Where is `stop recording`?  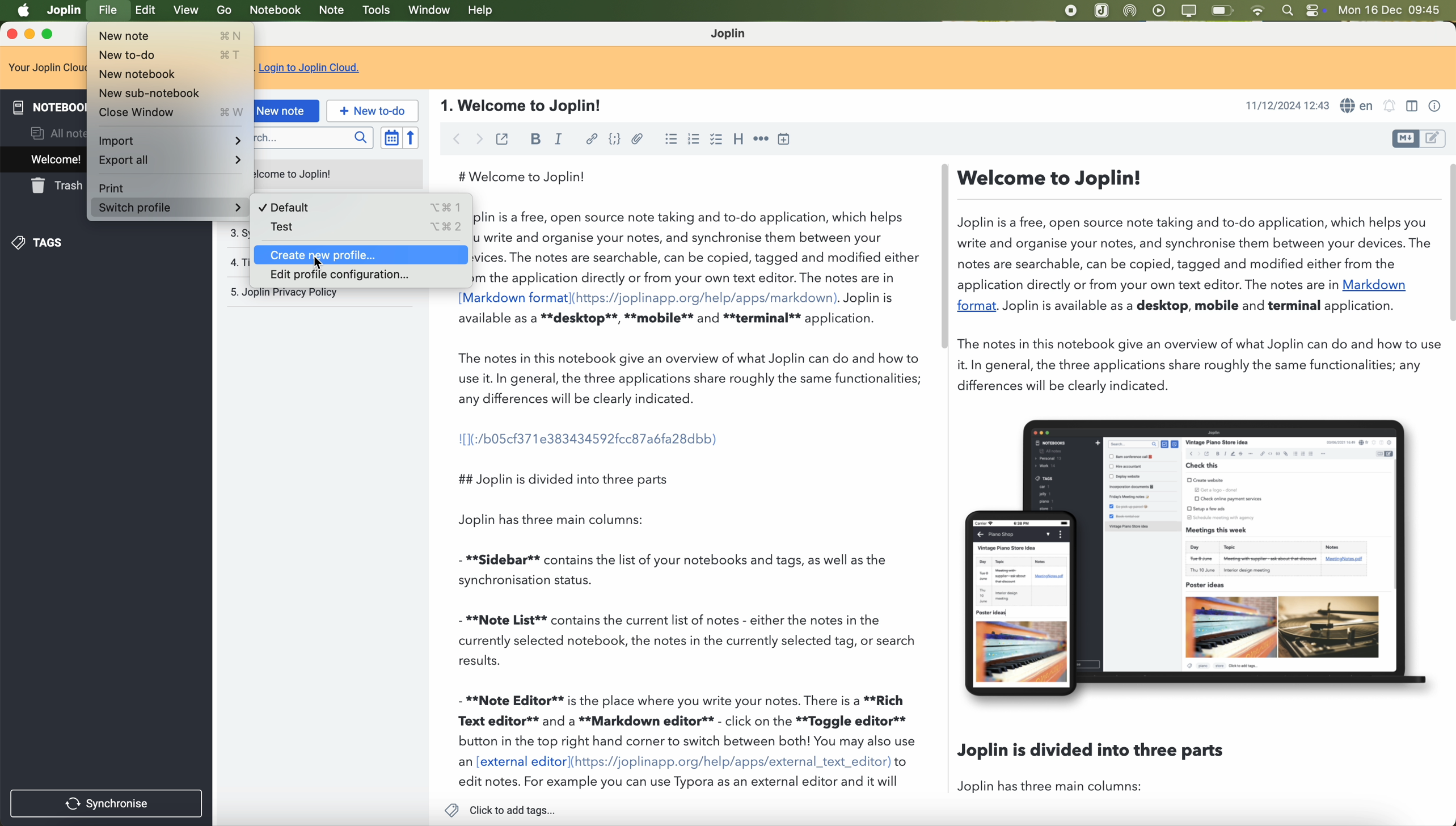 stop recording is located at coordinates (1069, 11).